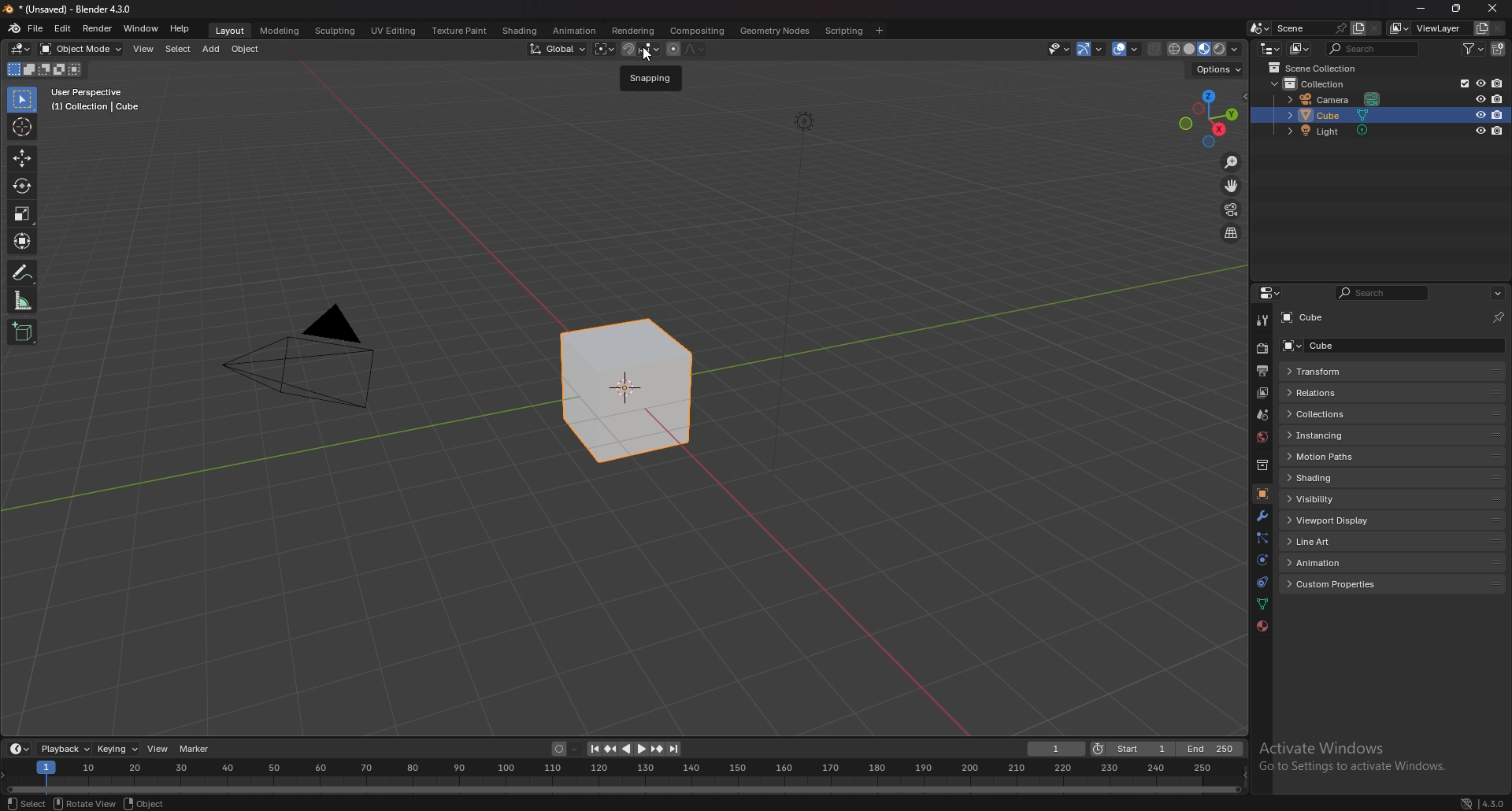 The height and width of the screenshot is (811, 1512). I want to click on perspective/orthographic, so click(1231, 232).